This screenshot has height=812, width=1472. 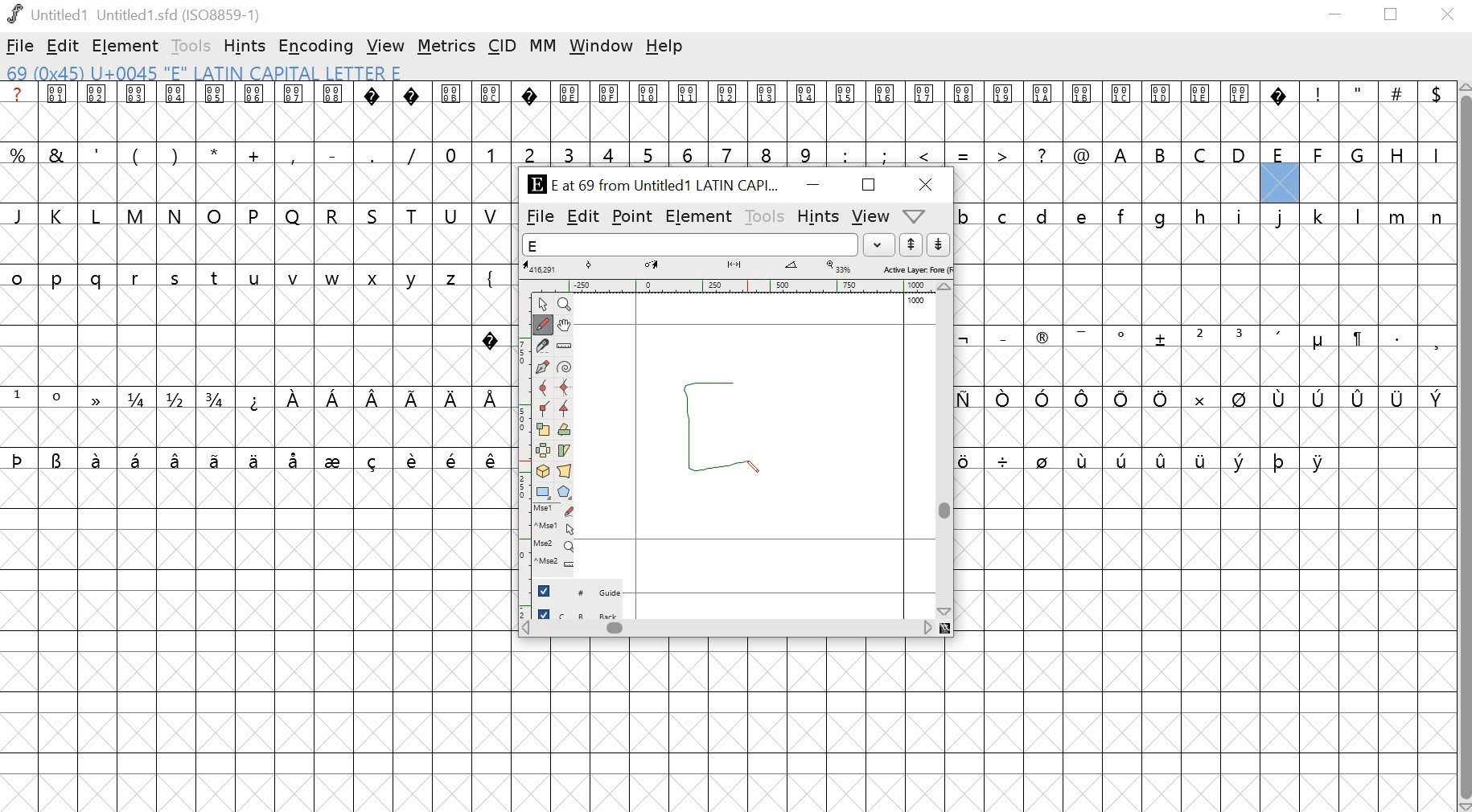 I want to click on empty cells, so click(x=1207, y=641).